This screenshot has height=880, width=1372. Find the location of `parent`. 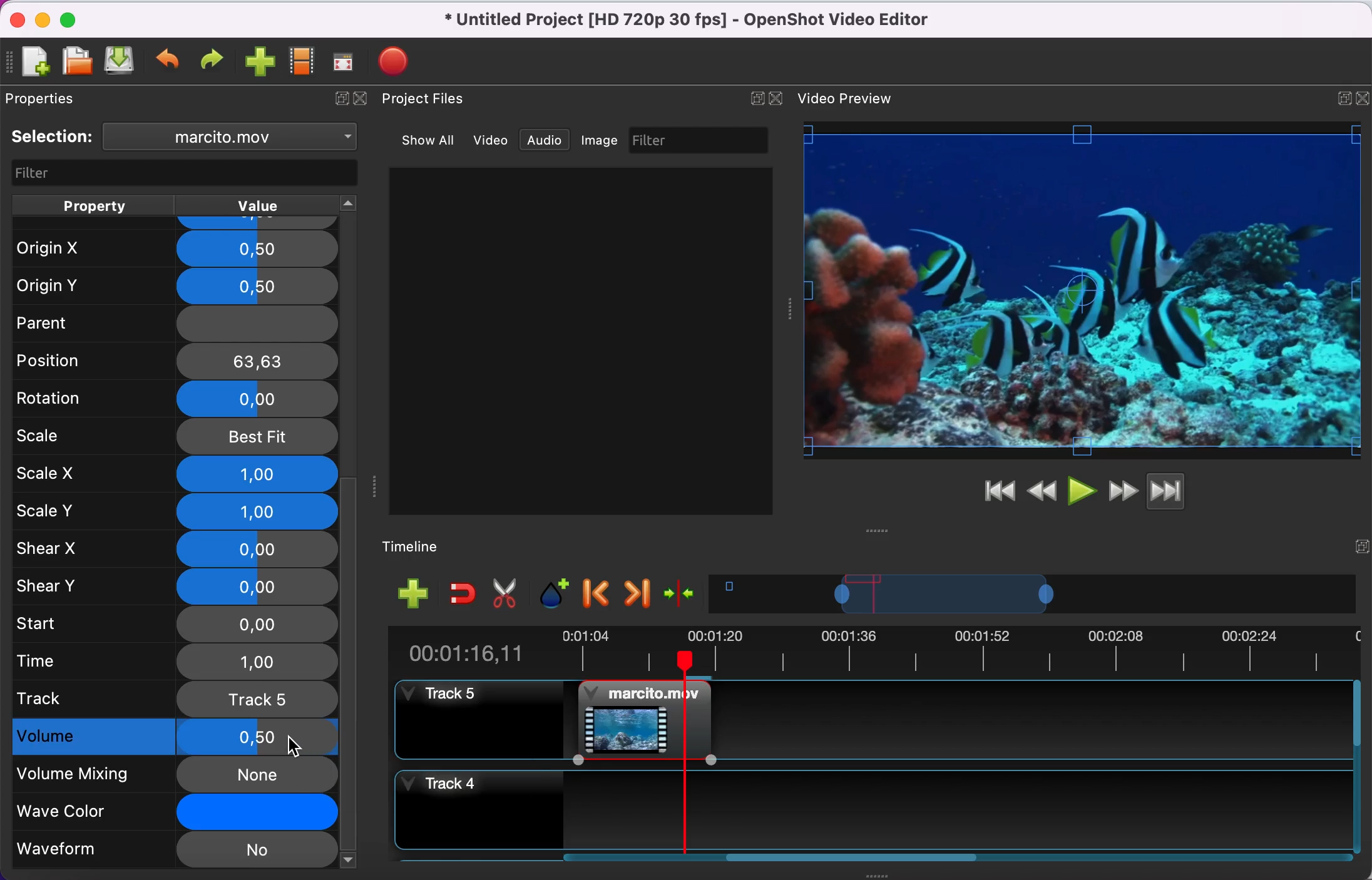

parent is located at coordinates (170, 322).